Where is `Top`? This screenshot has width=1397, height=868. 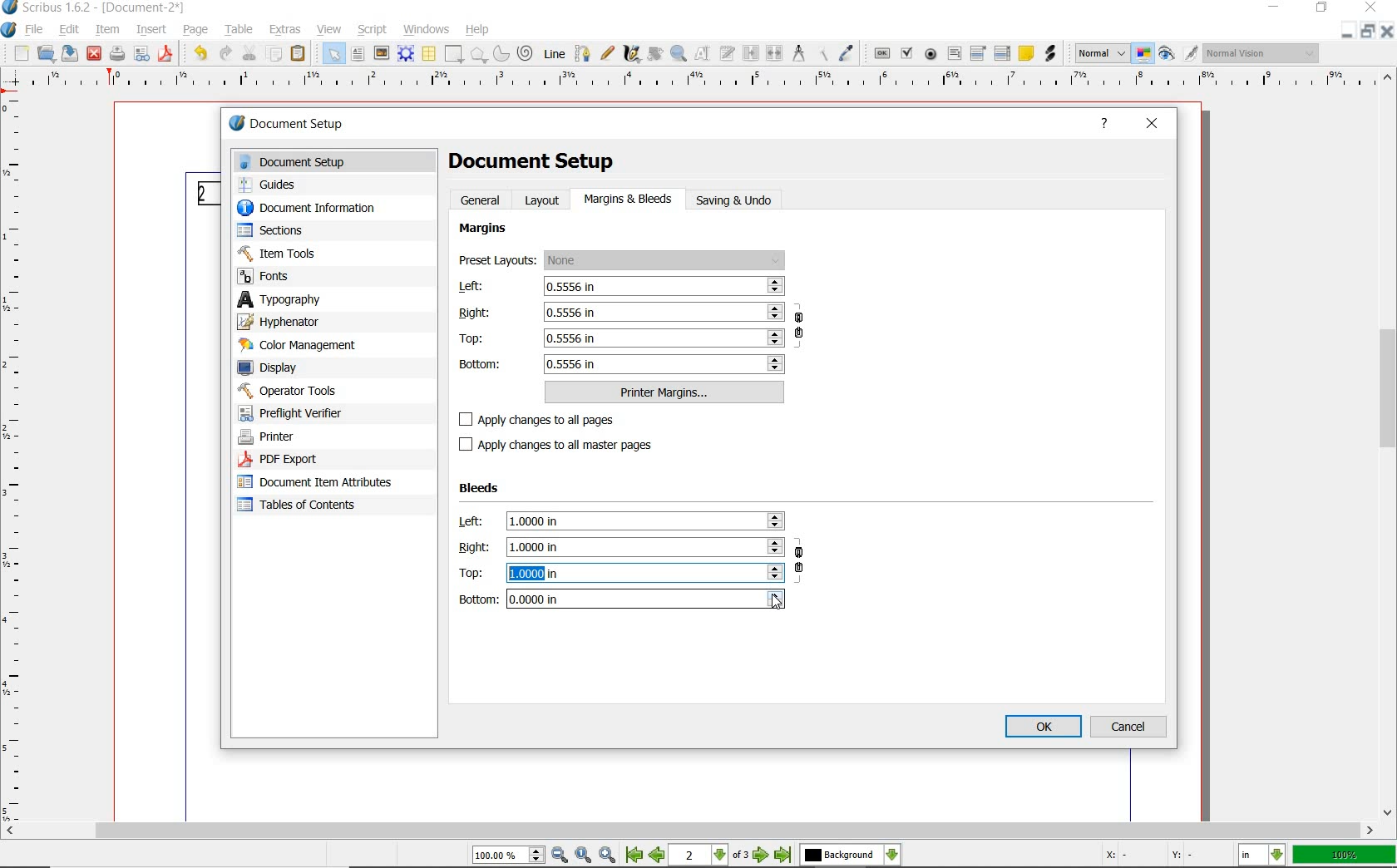
Top is located at coordinates (621, 338).